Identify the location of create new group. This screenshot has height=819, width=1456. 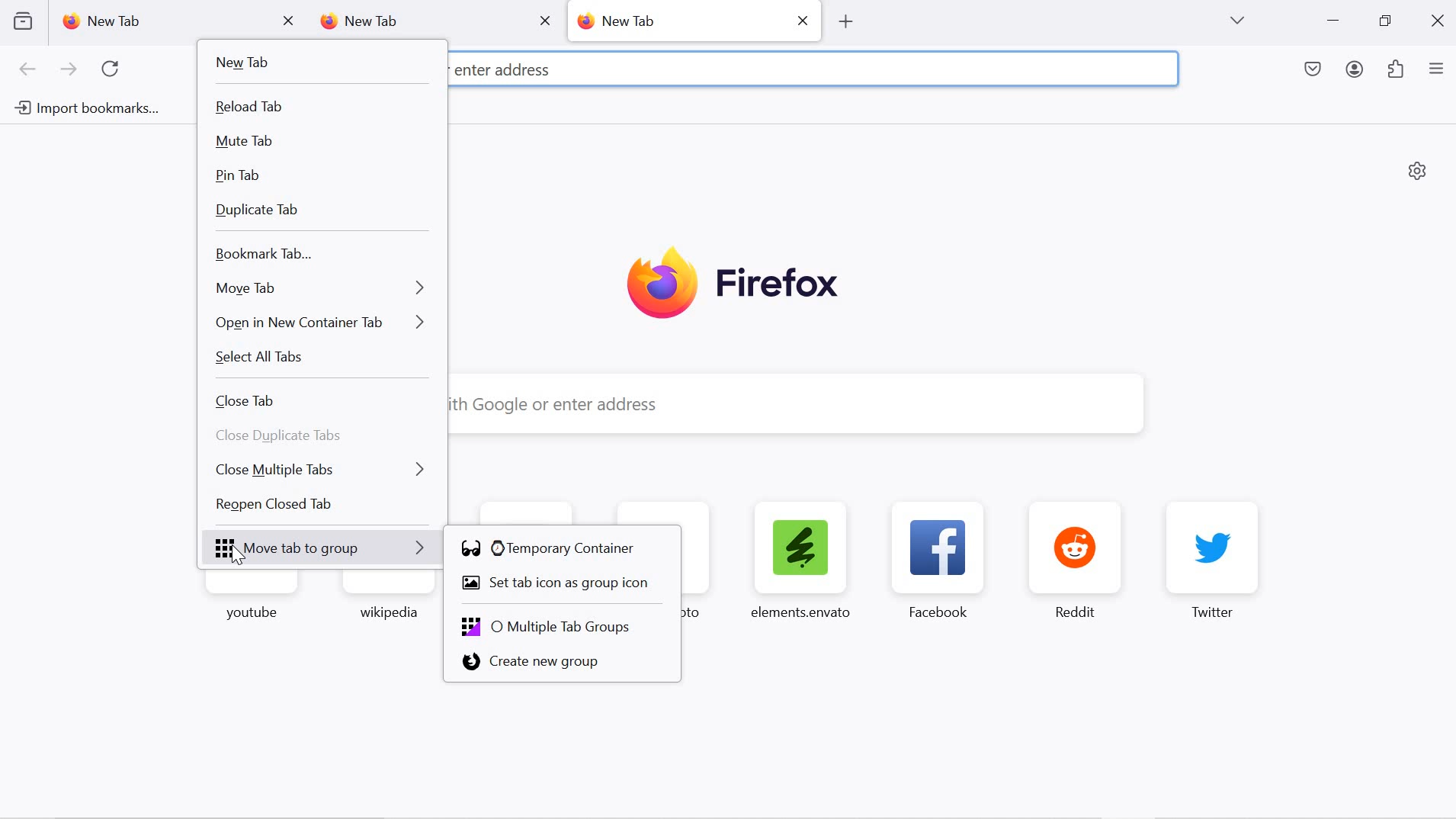
(562, 663).